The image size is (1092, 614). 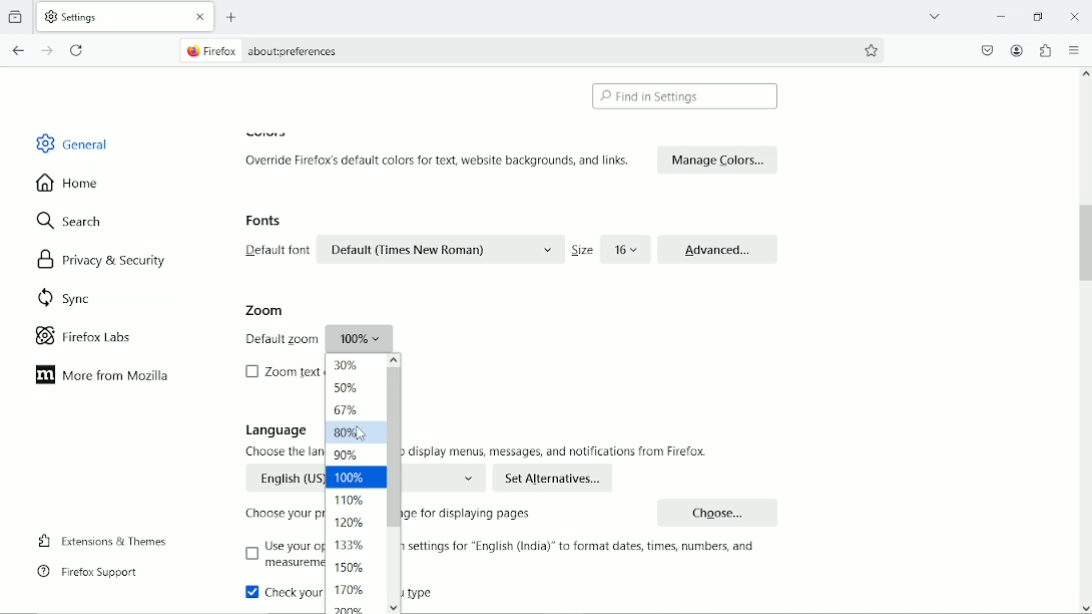 I want to click on restore down, so click(x=1039, y=16).